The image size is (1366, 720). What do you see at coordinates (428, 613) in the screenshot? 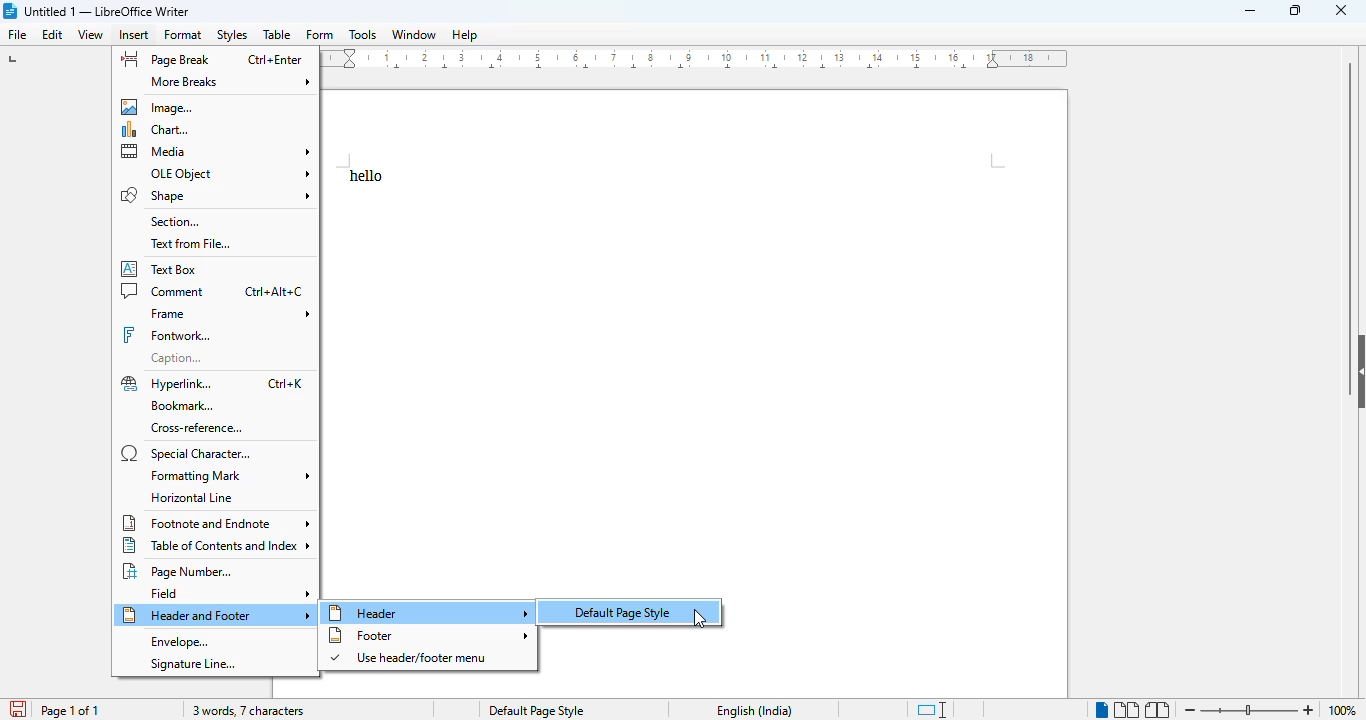
I see `header` at bounding box center [428, 613].